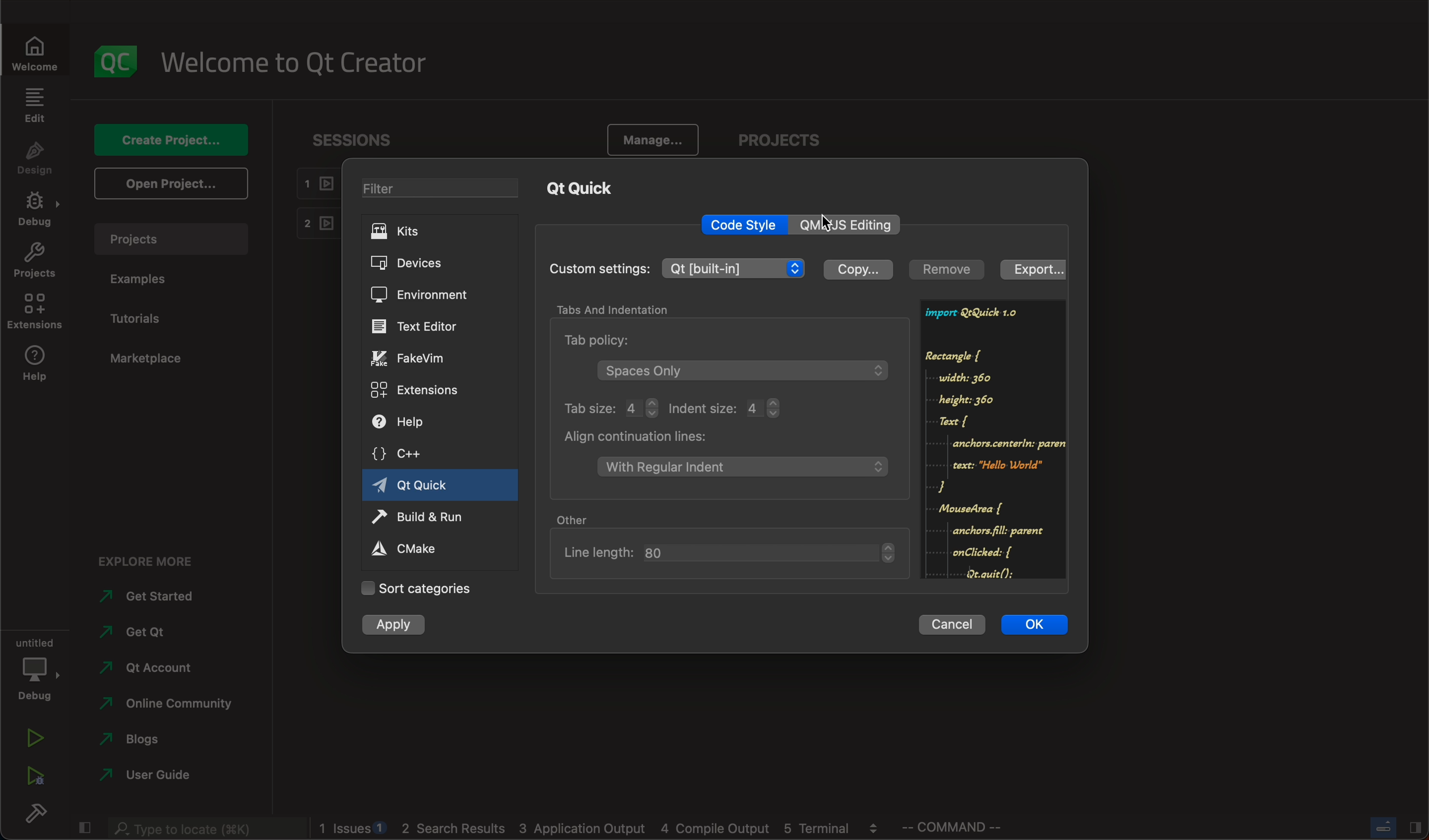 This screenshot has height=840, width=1429. What do you see at coordinates (177, 704) in the screenshot?
I see `community` at bounding box center [177, 704].